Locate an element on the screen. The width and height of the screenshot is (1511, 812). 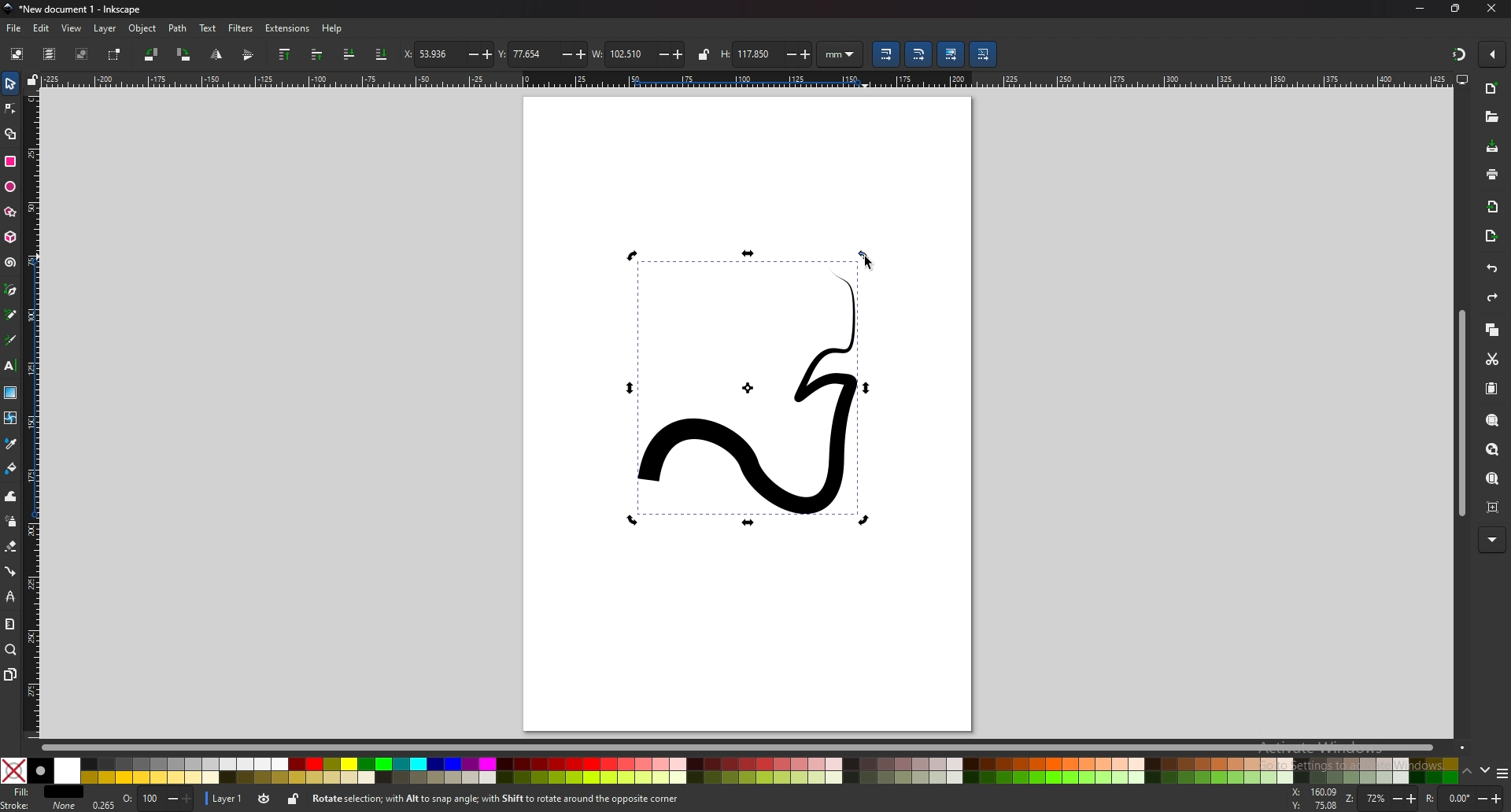
toggle visibility is located at coordinates (265, 799).